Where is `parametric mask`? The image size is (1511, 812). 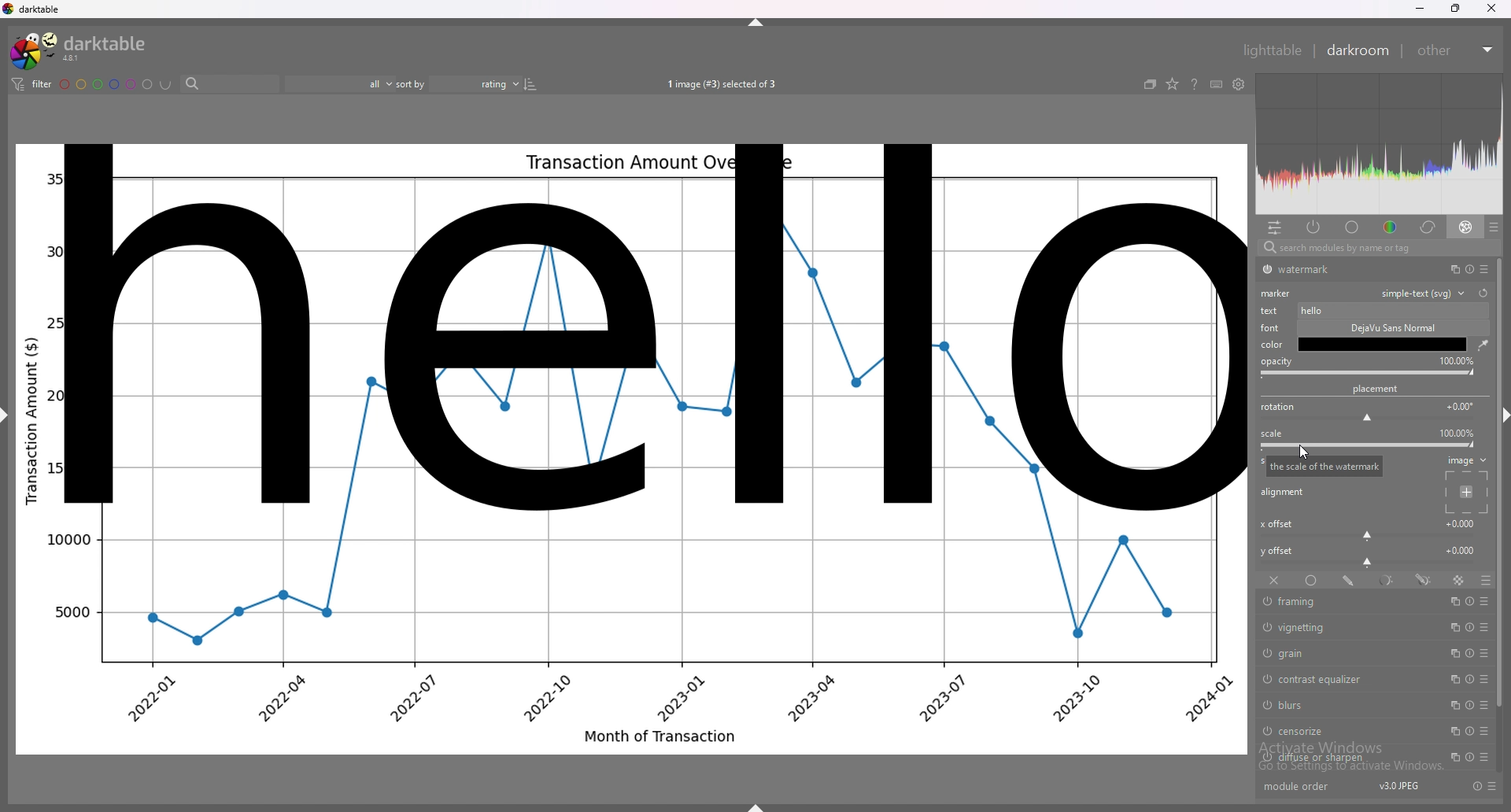 parametric mask is located at coordinates (1388, 580).